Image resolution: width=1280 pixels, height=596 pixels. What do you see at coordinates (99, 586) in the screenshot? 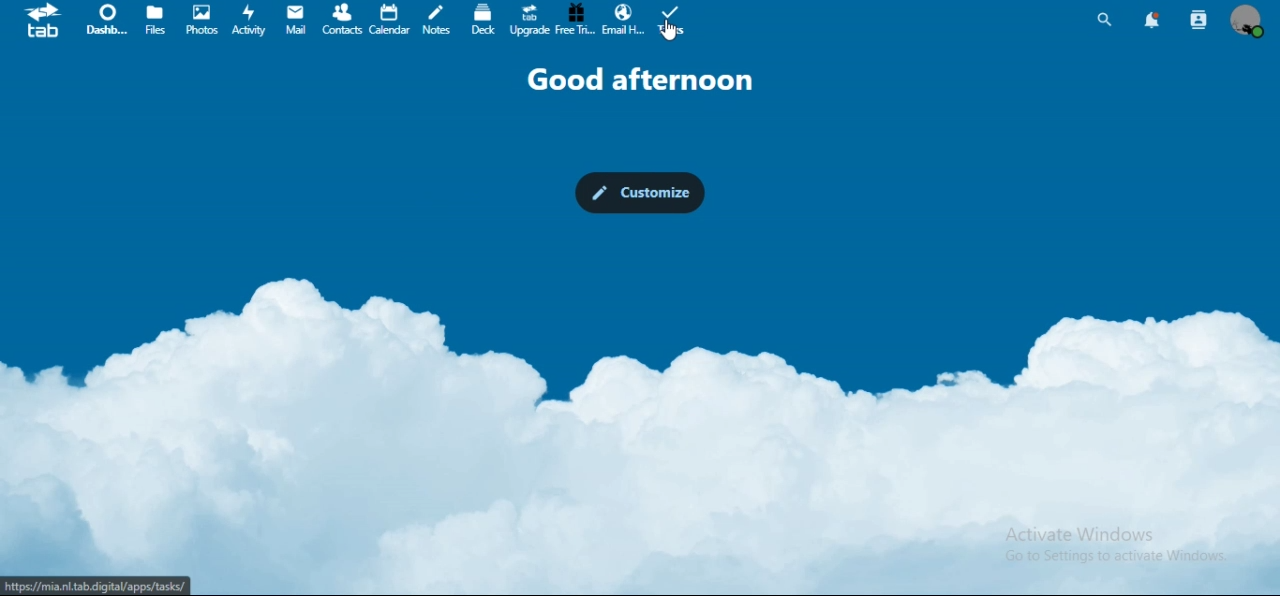
I see `https://mia.nl.tab.digital/apps/tasks/ |` at bounding box center [99, 586].